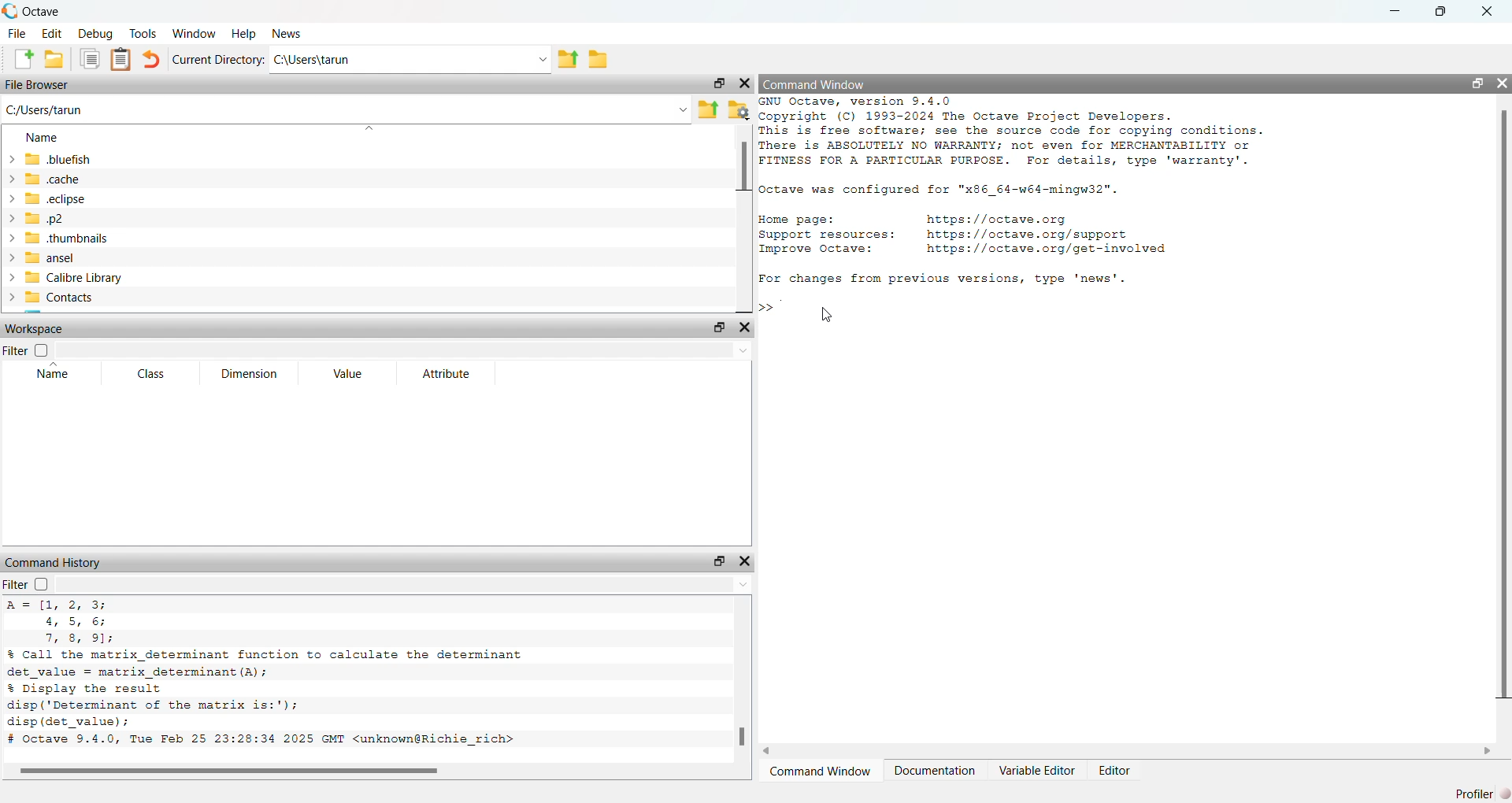 The width and height of the screenshot is (1512, 803). I want to click on Variable Editor, so click(1036, 768).